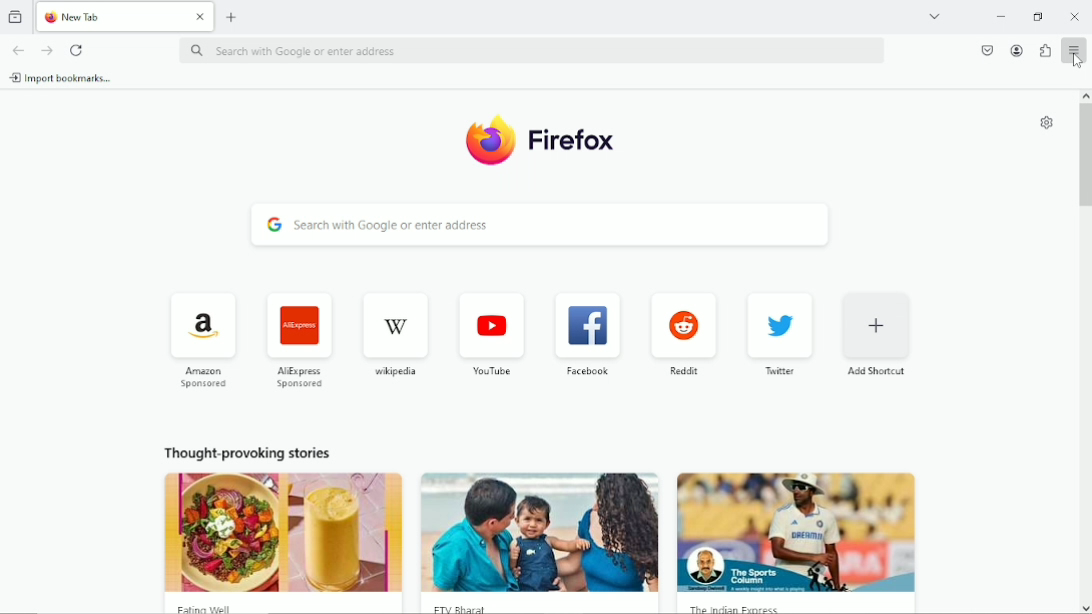 This screenshot has width=1092, height=614. Describe the element at coordinates (580, 327) in the screenshot. I see `icon` at that location.